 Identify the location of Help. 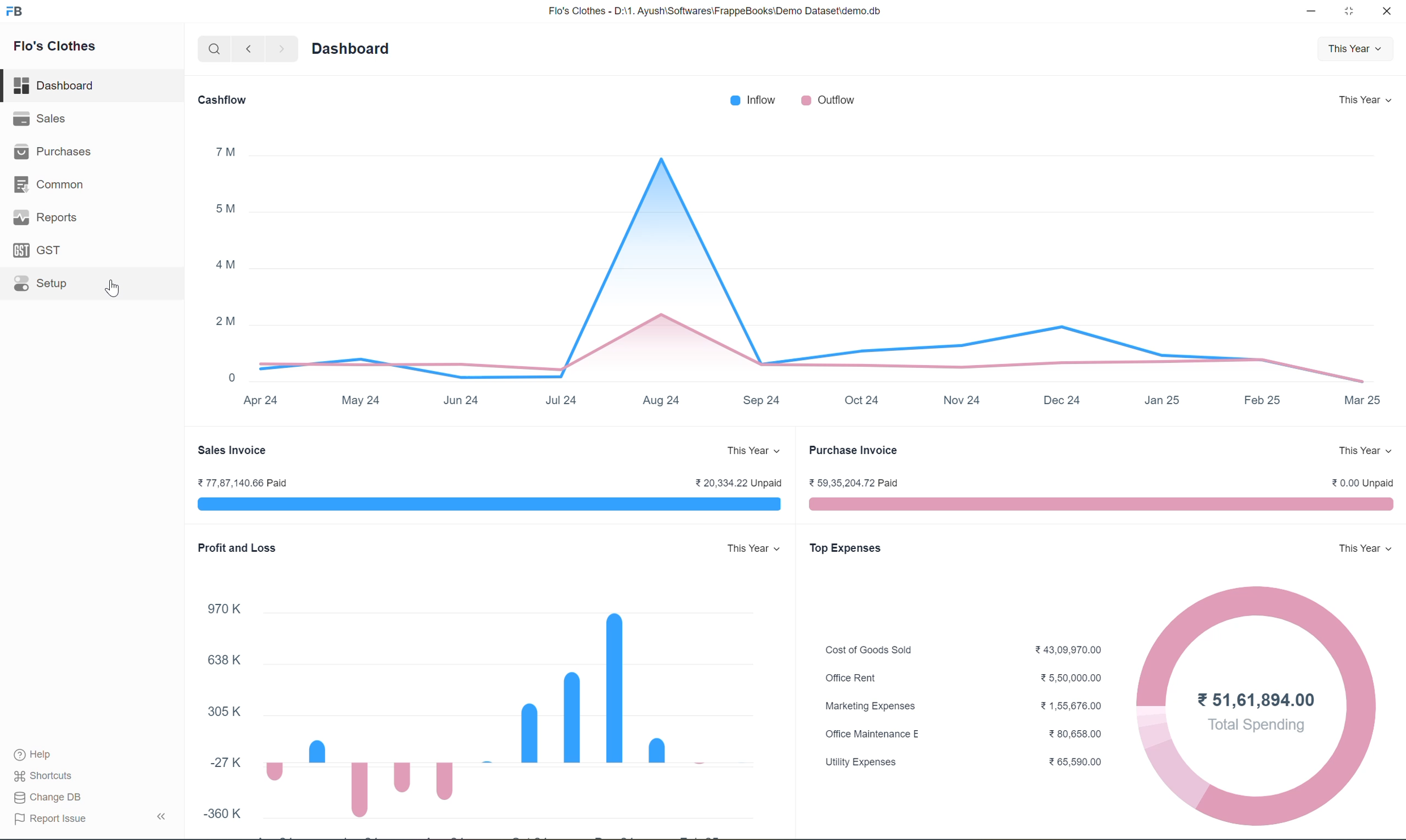
(38, 755).